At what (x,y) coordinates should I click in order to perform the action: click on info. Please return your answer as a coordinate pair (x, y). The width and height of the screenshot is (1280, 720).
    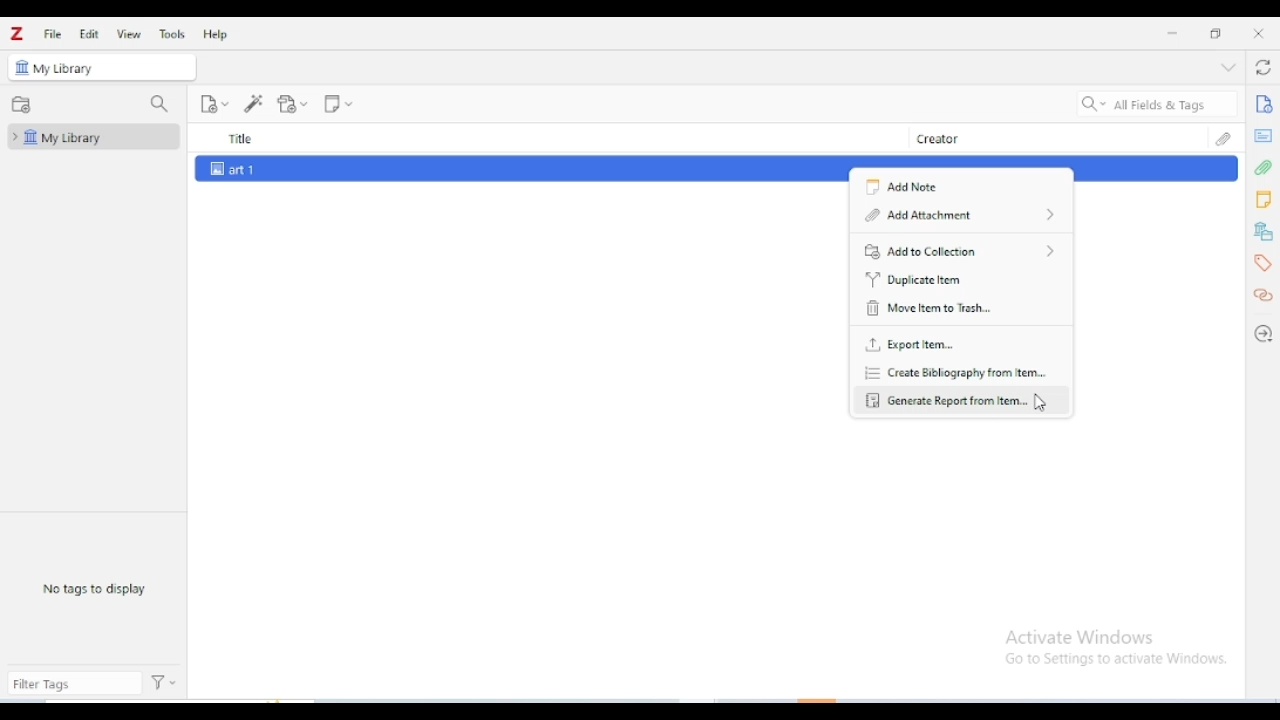
    Looking at the image, I should click on (1264, 104).